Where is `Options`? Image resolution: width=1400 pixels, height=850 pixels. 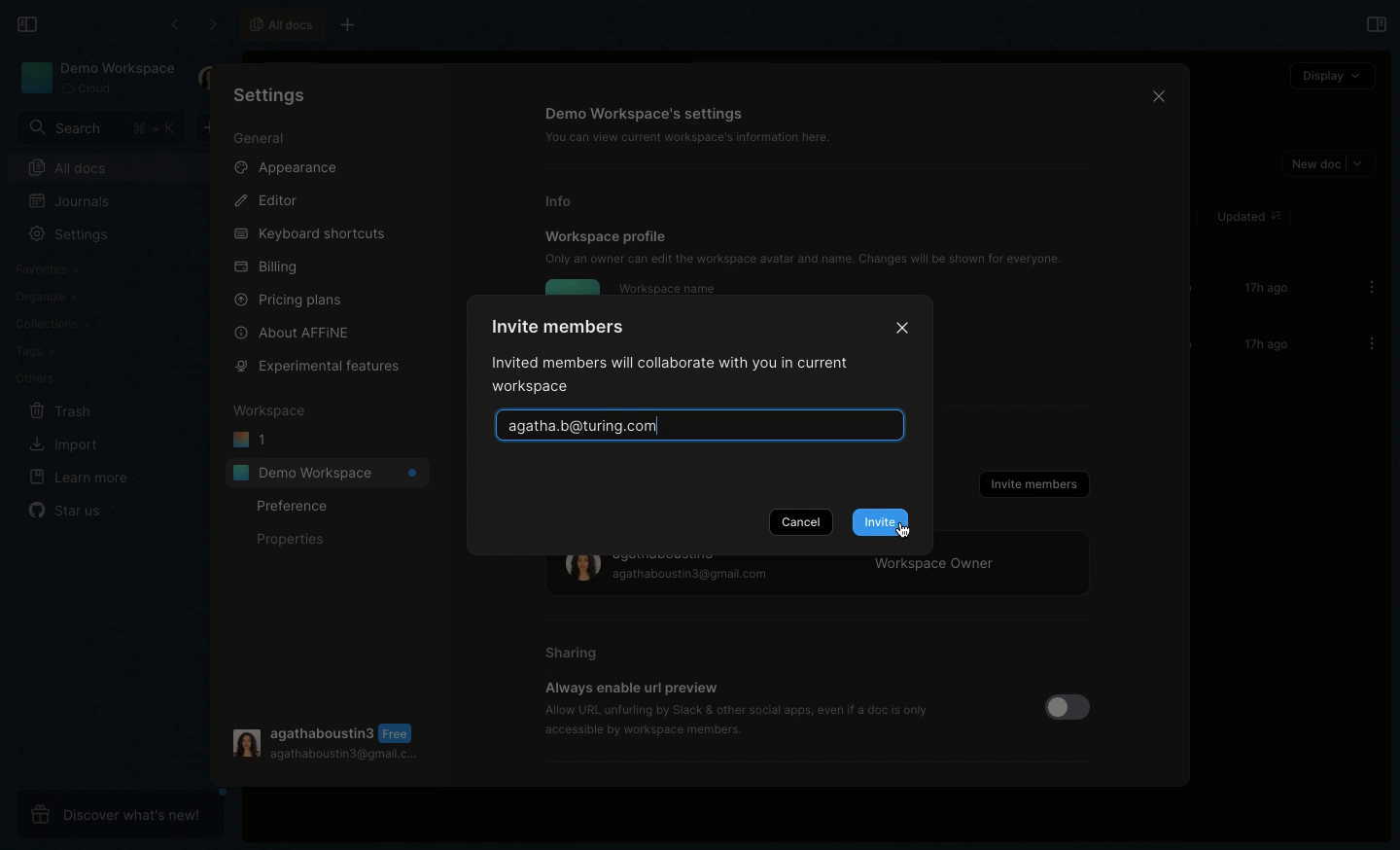
Options is located at coordinates (1366, 343).